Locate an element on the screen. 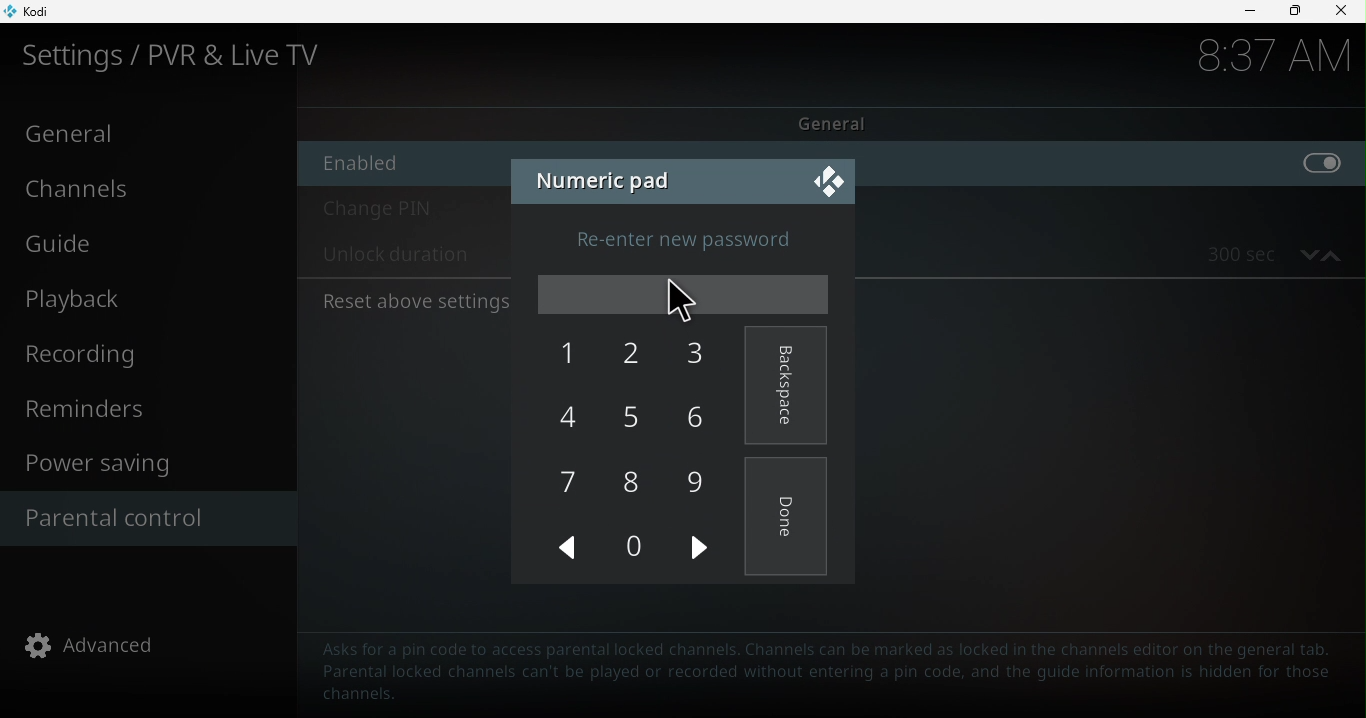 This screenshot has width=1366, height=718. 7 is located at coordinates (566, 486).